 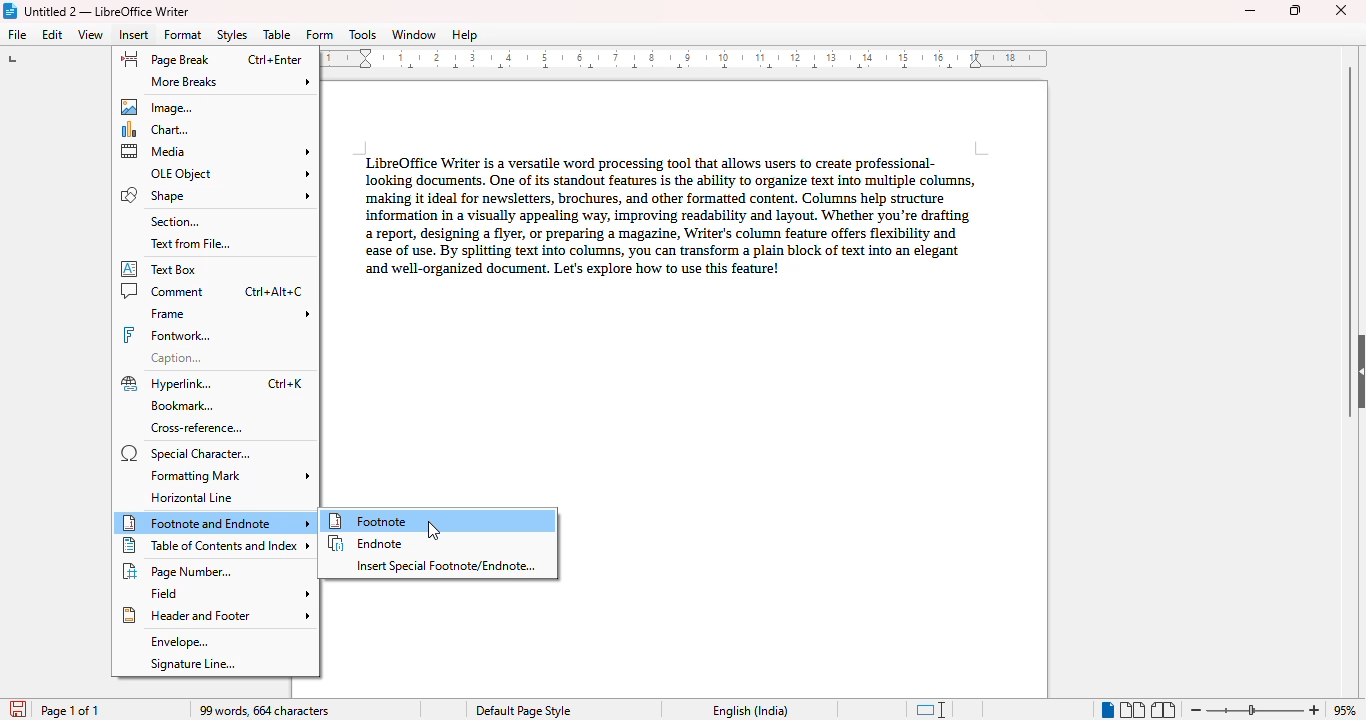 What do you see at coordinates (191, 498) in the screenshot?
I see `horizontal line` at bounding box center [191, 498].